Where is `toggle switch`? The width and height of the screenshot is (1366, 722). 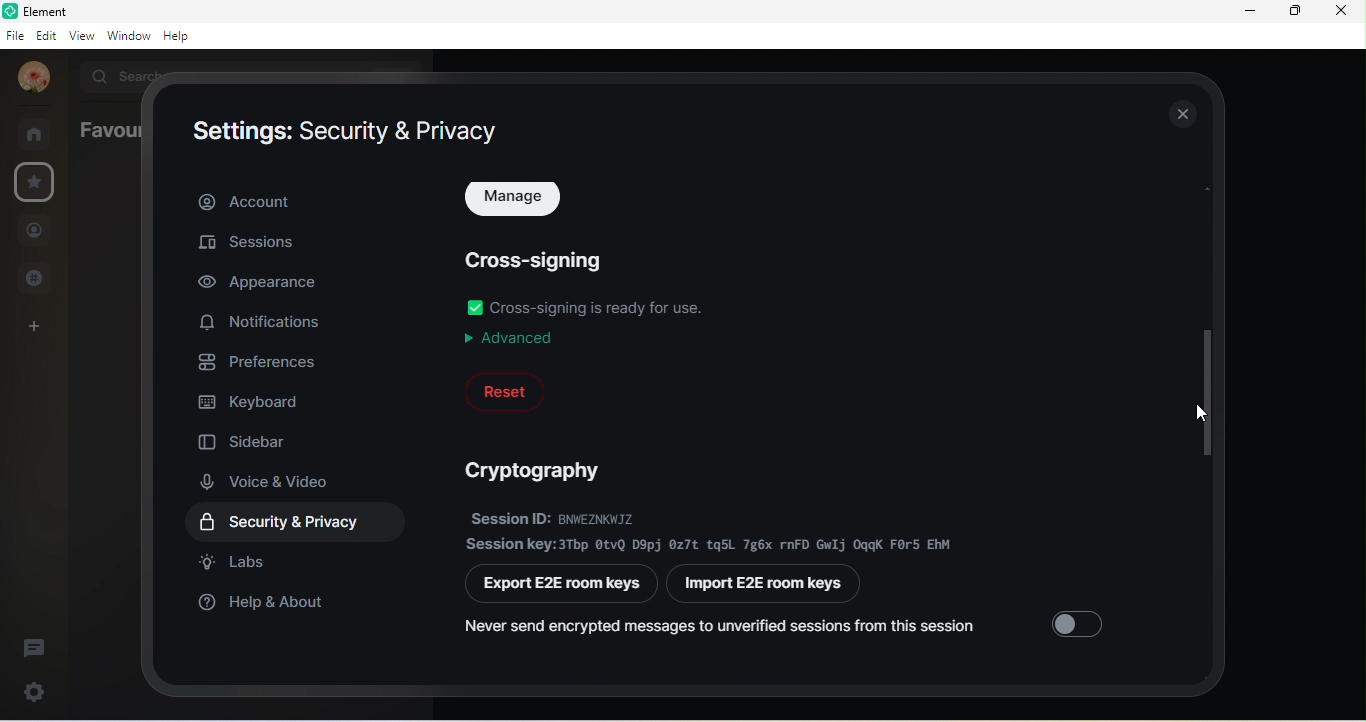
toggle switch is located at coordinates (1081, 620).